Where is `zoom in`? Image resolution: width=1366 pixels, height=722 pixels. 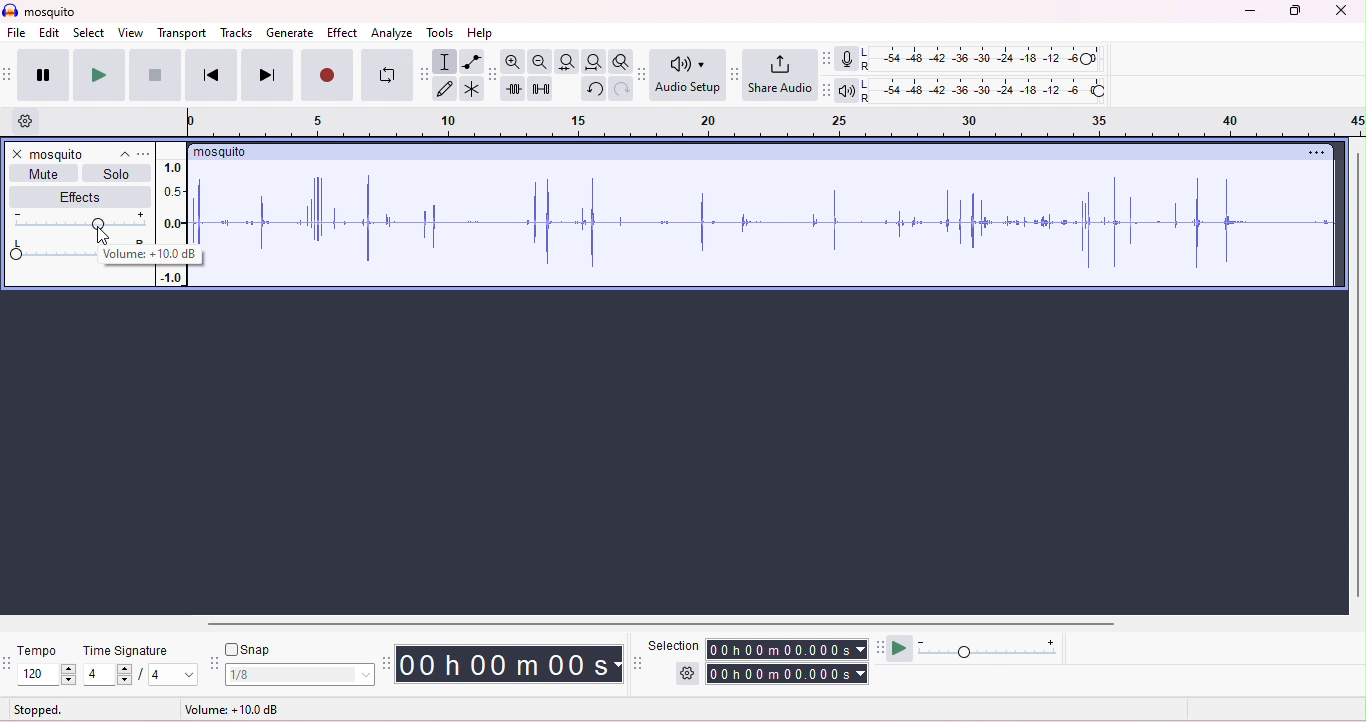 zoom in is located at coordinates (513, 62).